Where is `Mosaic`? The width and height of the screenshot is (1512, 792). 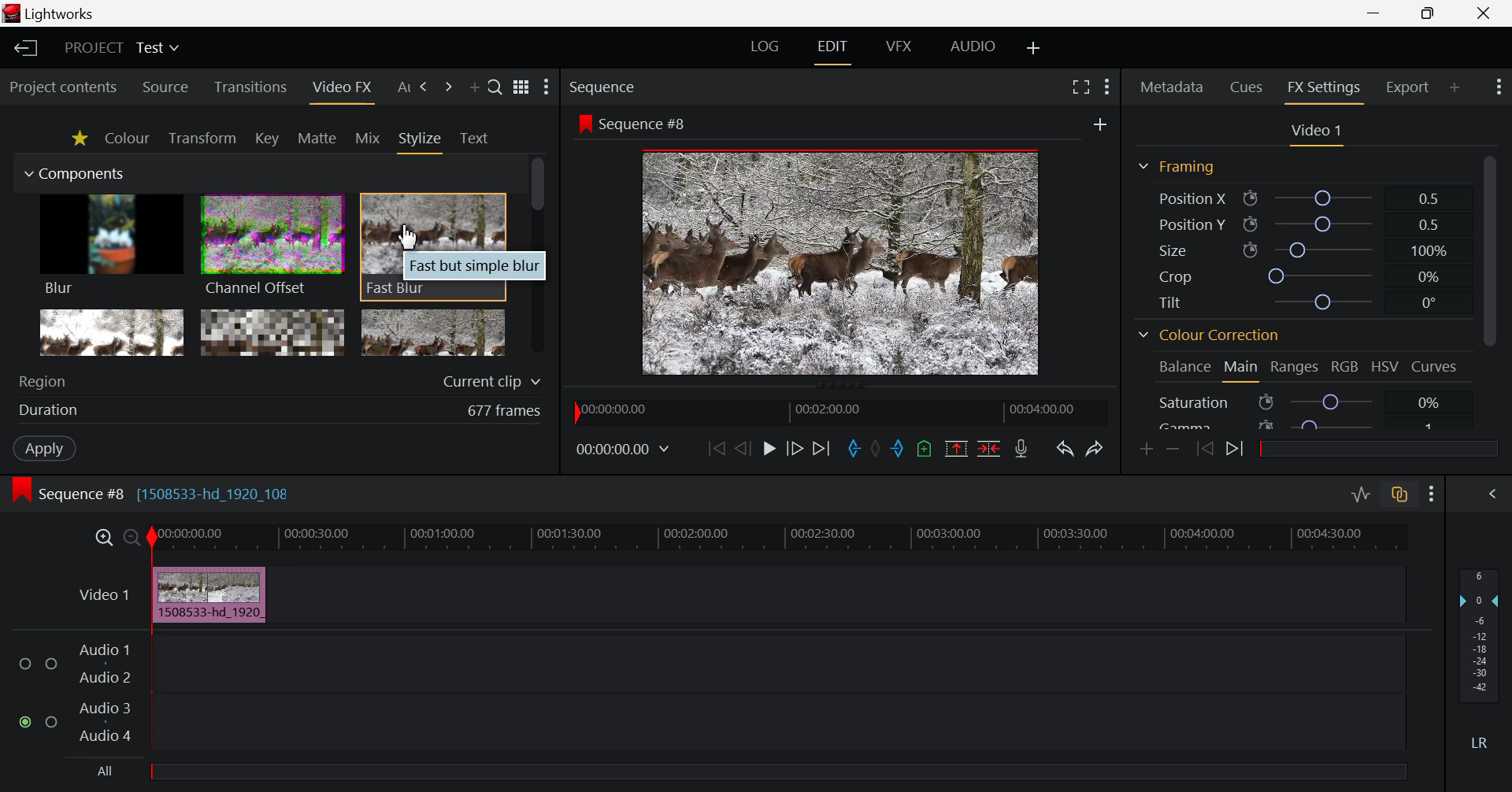
Mosaic is located at coordinates (272, 333).